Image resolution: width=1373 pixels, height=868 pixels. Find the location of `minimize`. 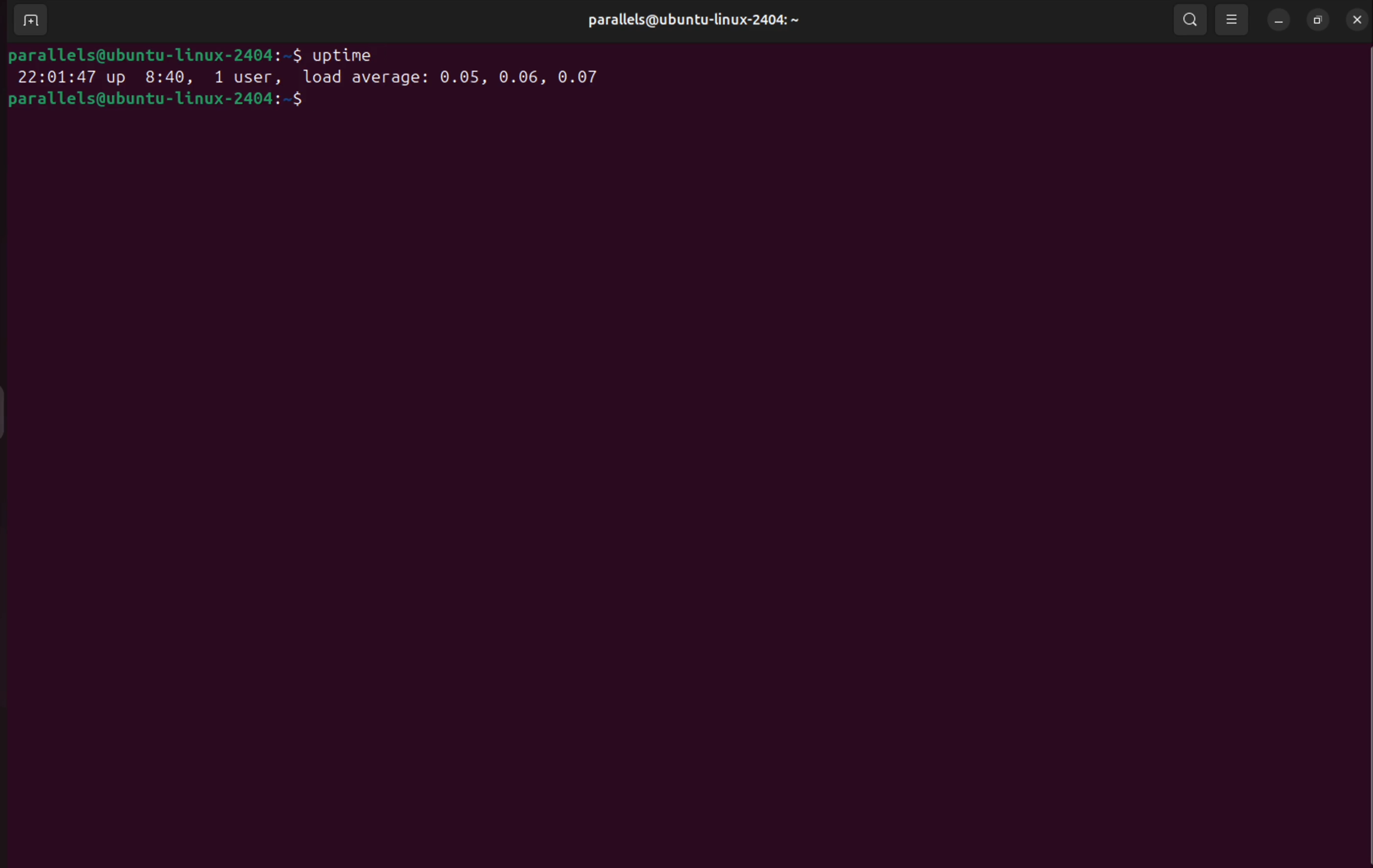

minimize is located at coordinates (1274, 21).